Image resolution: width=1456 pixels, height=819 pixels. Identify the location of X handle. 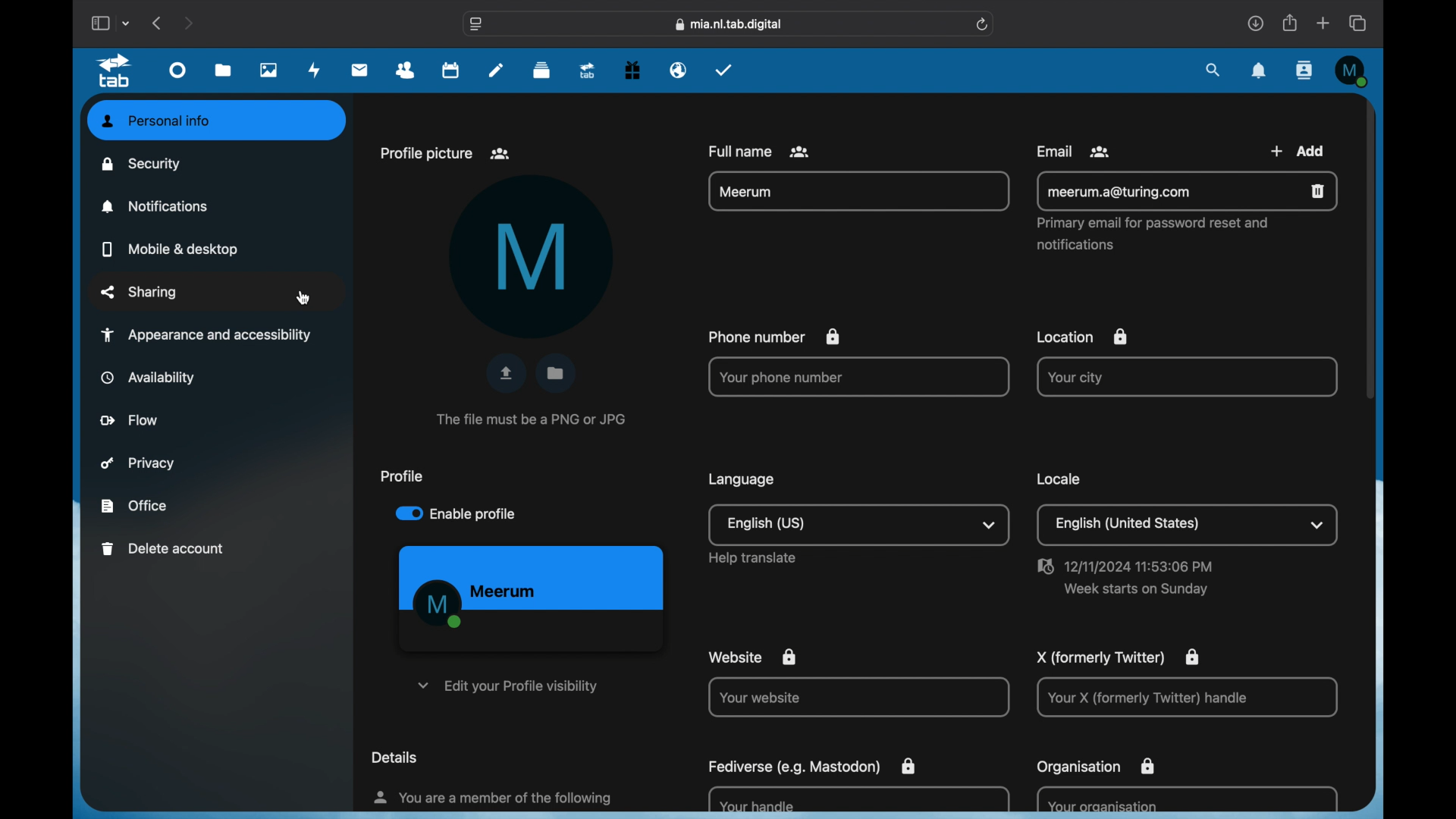
(1188, 699).